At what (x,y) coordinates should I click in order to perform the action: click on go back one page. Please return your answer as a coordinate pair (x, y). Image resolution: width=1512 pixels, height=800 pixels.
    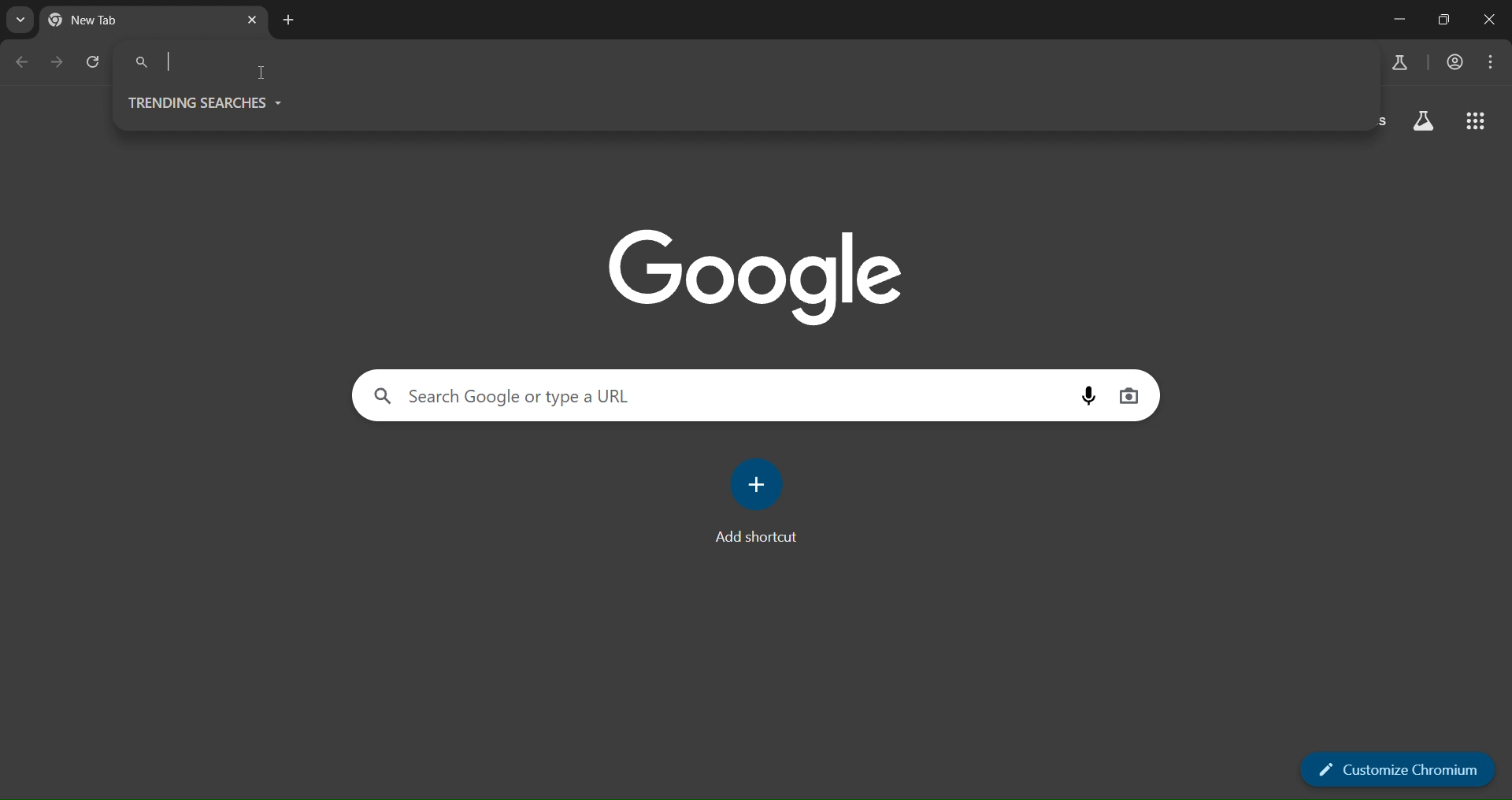
    Looking at the image, I should click on (24, 61).